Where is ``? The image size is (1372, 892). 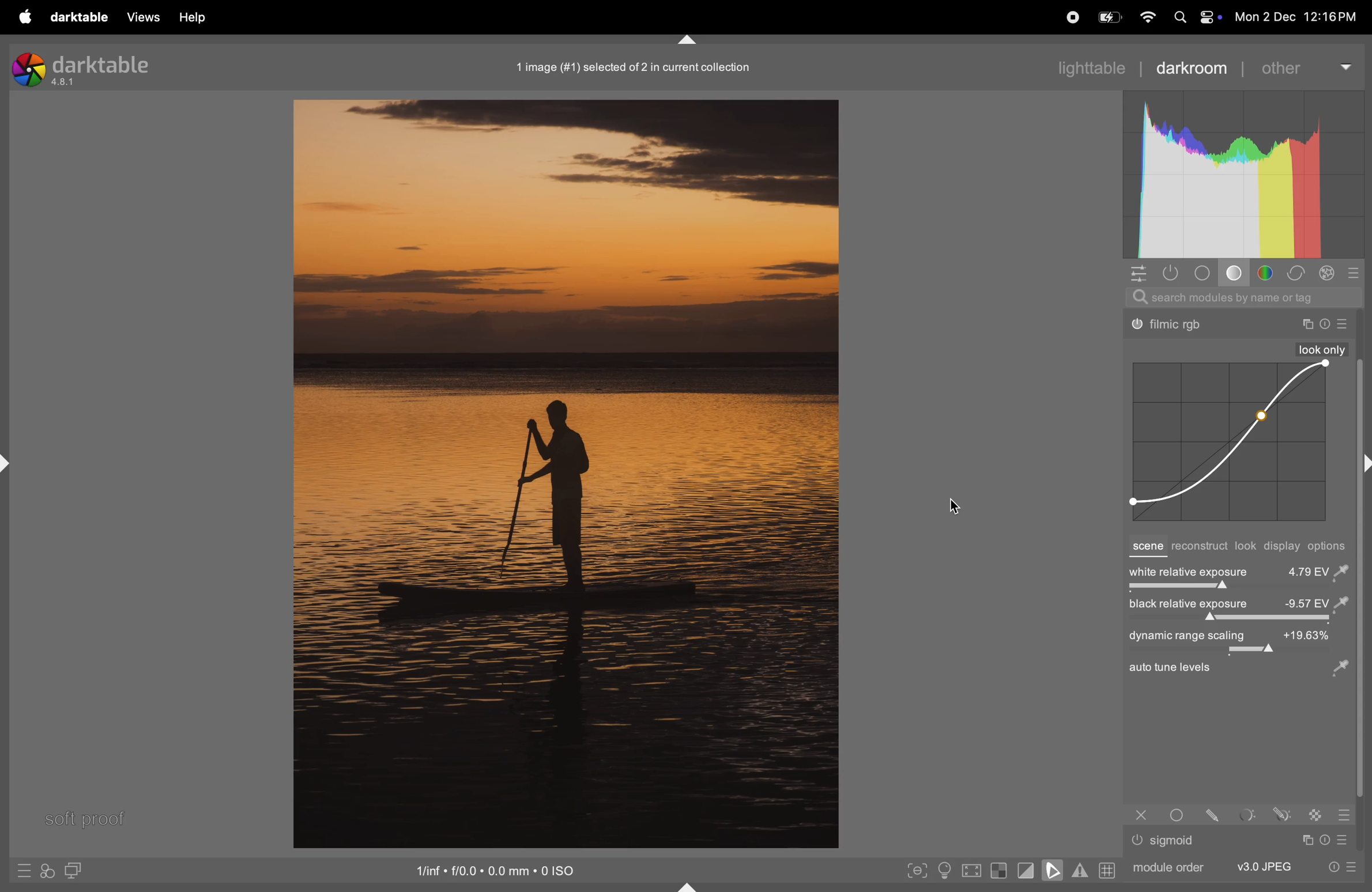  is located at coordinates (1216, 814).